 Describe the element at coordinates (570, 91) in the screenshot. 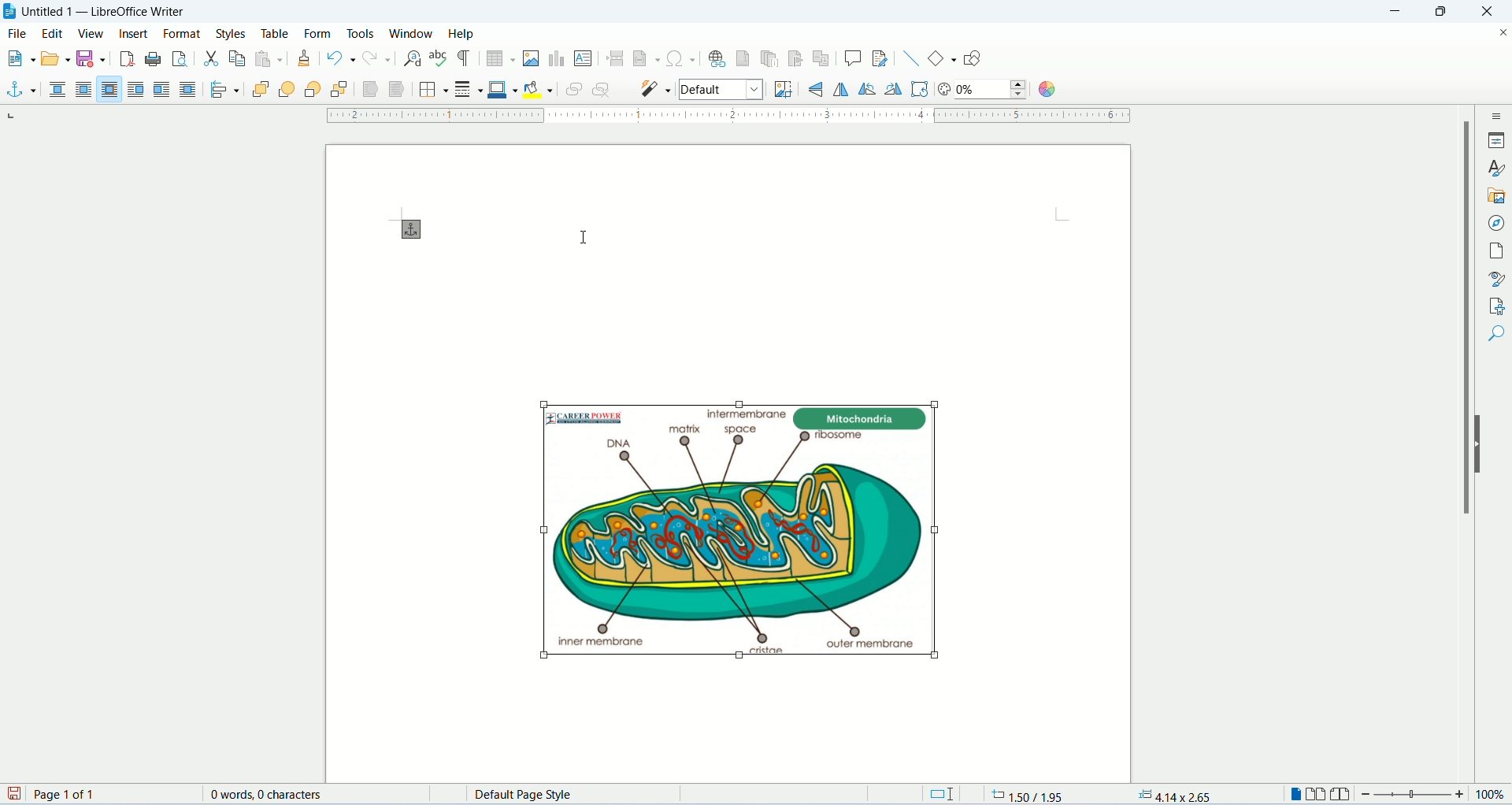

I see `link frames` at that location.